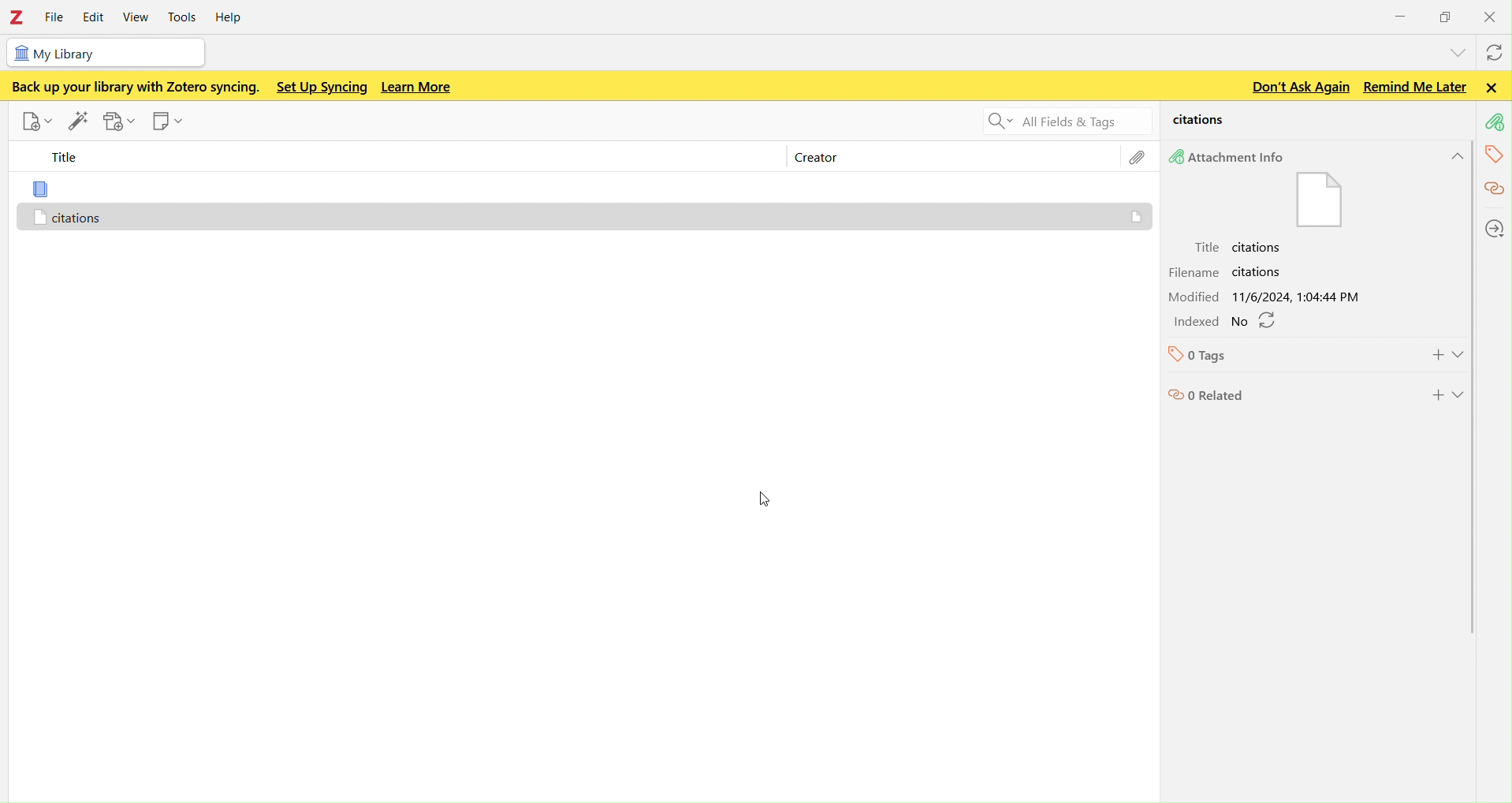 This screenshot has width=1512, height=803. I want to click on Learn more, so click(417, 86).